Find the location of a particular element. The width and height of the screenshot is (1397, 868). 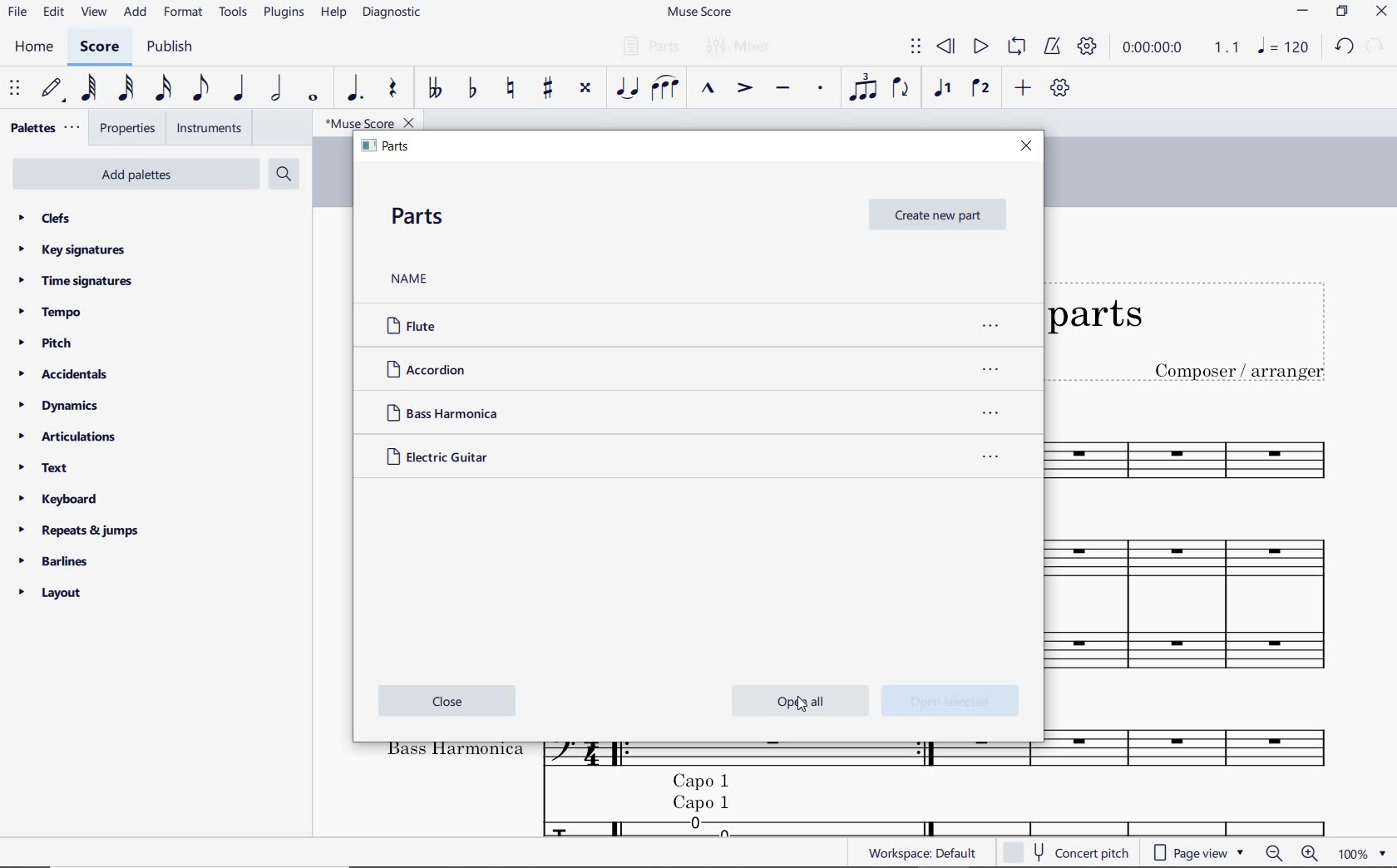

voice1 is located at coordinates (943, 90).